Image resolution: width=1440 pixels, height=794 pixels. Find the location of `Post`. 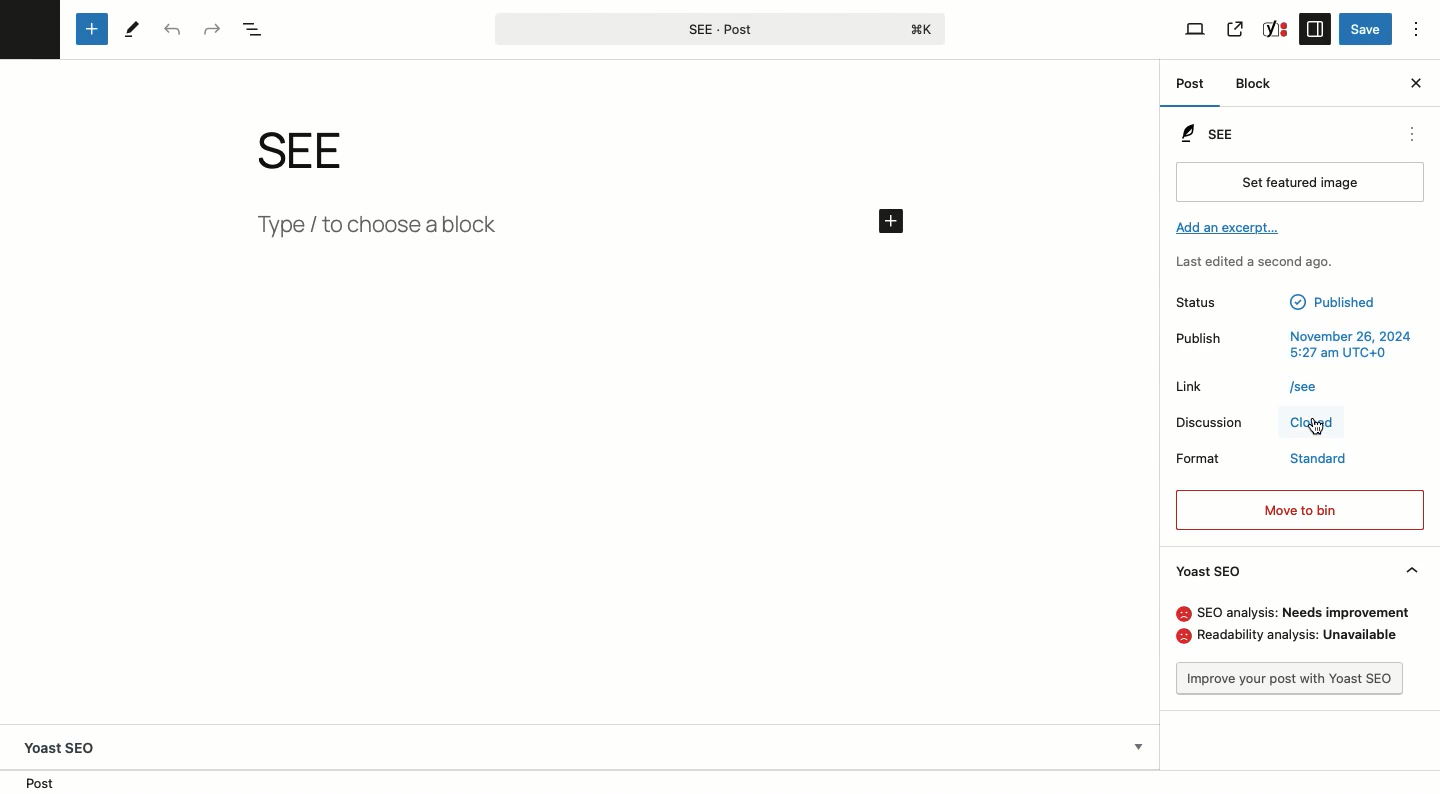

Post is located at coordinates (1190, 83).